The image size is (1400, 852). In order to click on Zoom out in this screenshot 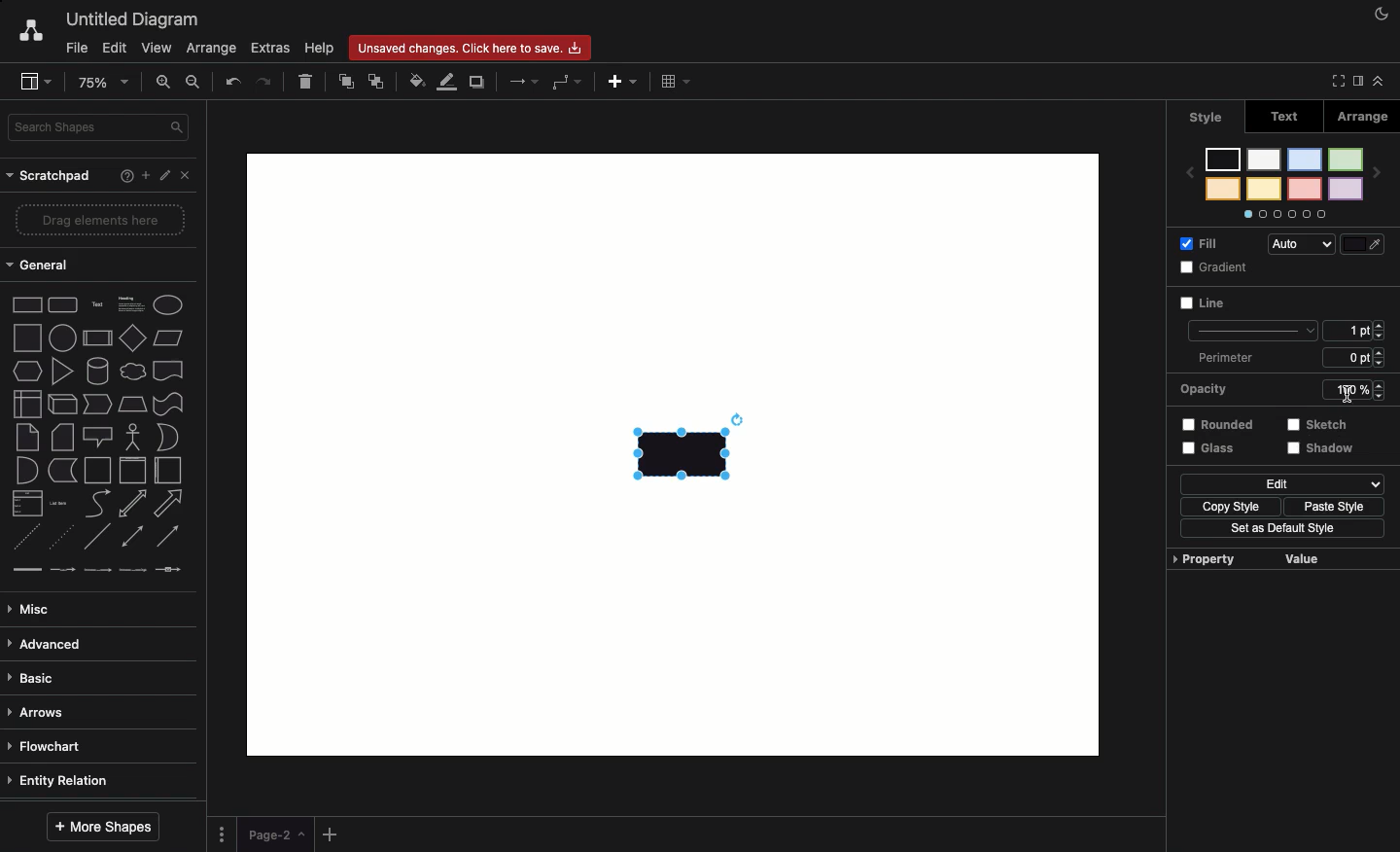, I will do `click(193, 82)`.